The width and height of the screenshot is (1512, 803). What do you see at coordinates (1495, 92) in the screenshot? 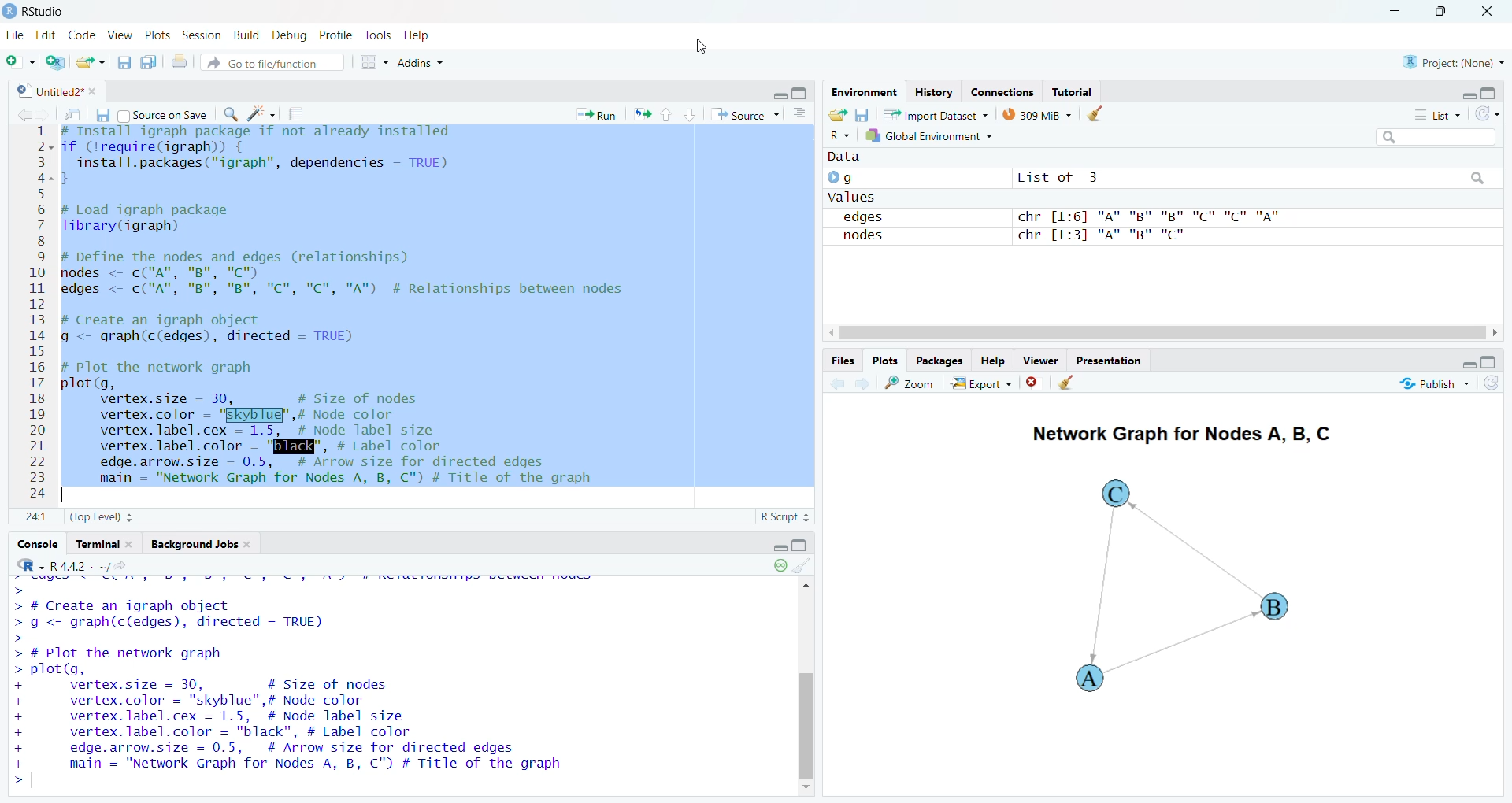
I see `maximise` at bounding box center [1495, 92].